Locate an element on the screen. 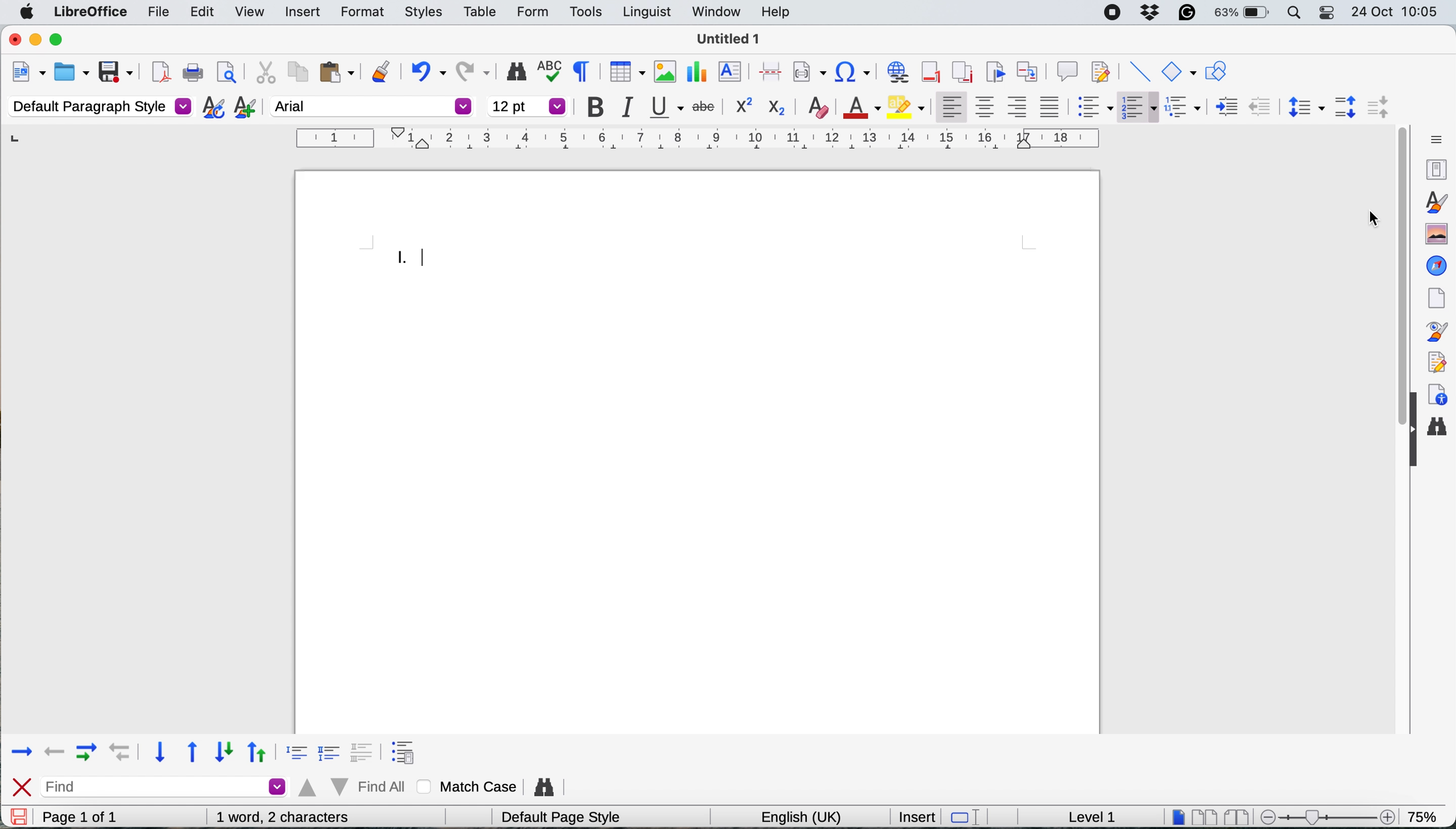 This screenshot has width=1456, height=829. undo is located at coordinates (427, 69).